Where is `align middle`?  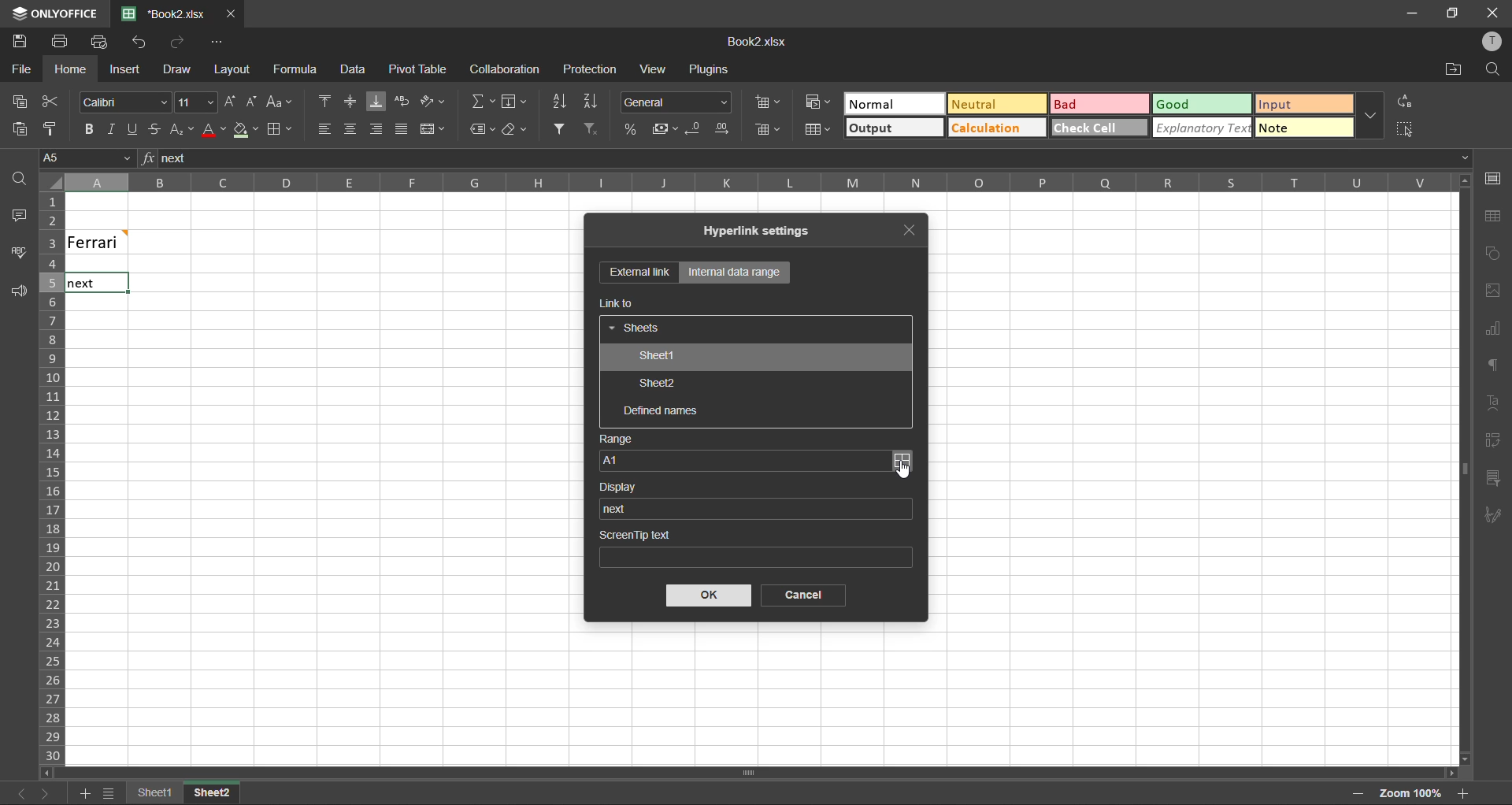 align middle is located at coordinates (350, 101).